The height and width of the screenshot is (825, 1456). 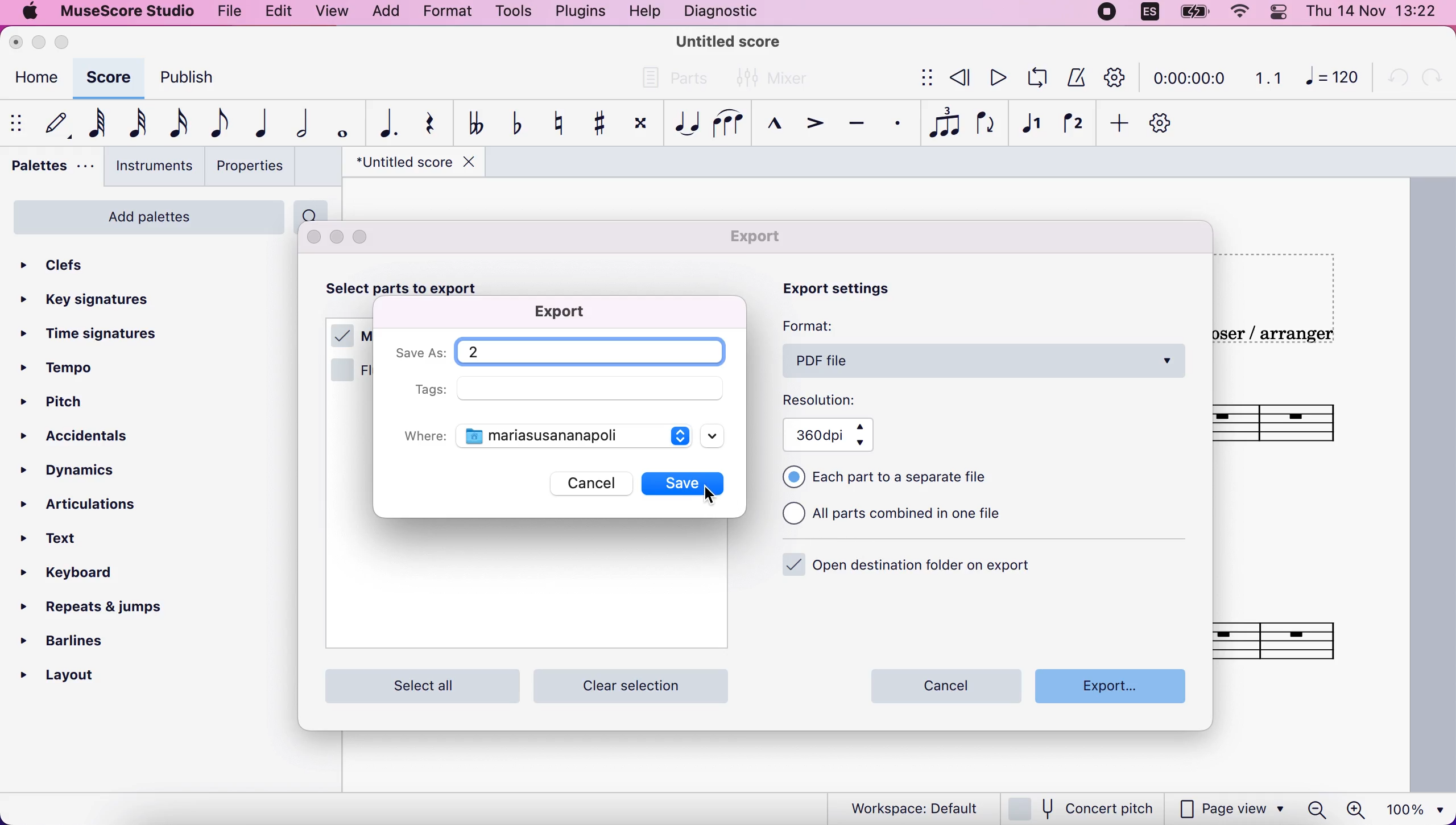 I want to click on metronome, so click(x=1074, y=78).